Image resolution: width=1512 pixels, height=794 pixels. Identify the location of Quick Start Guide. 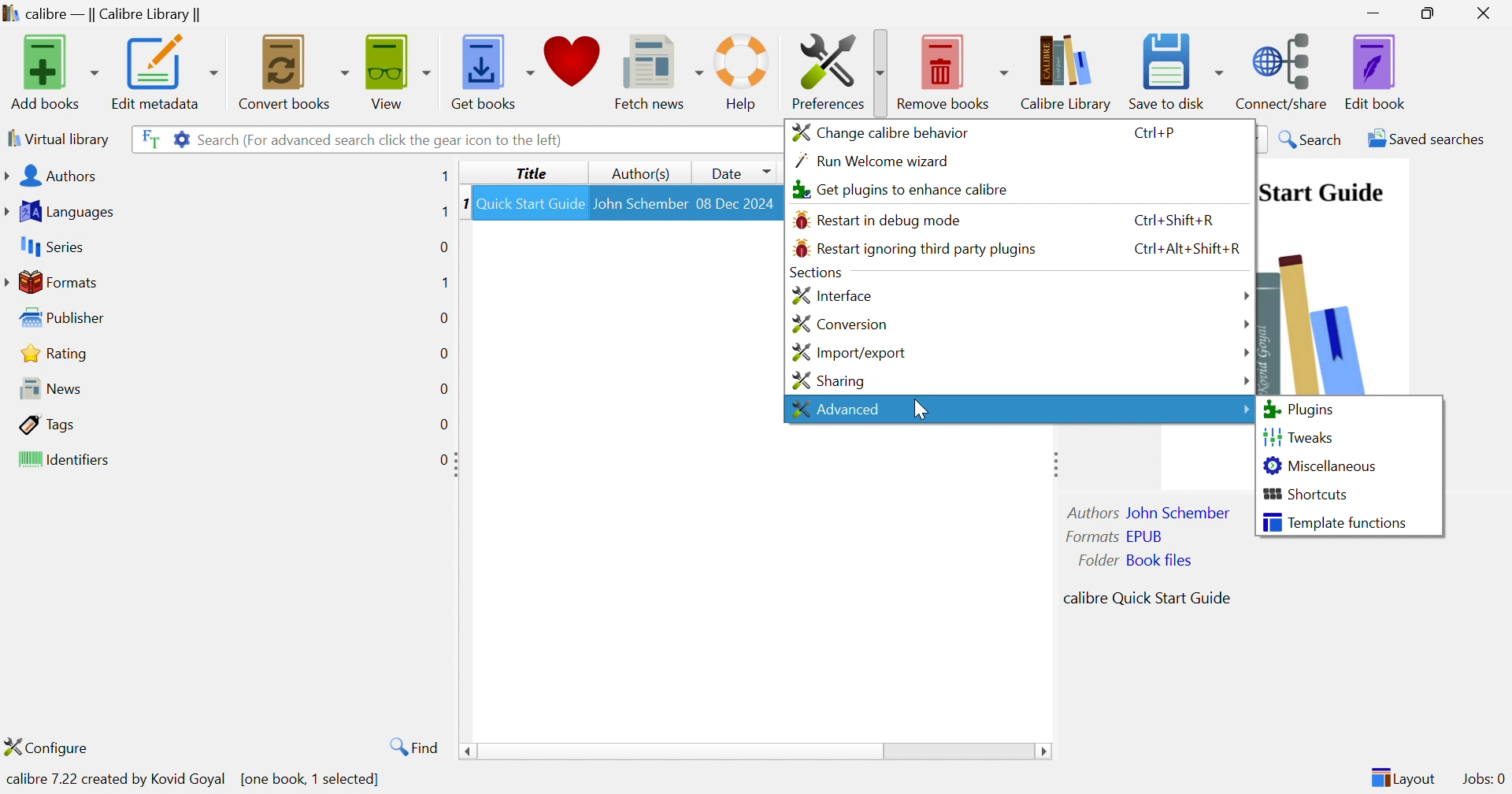
(530, 203).